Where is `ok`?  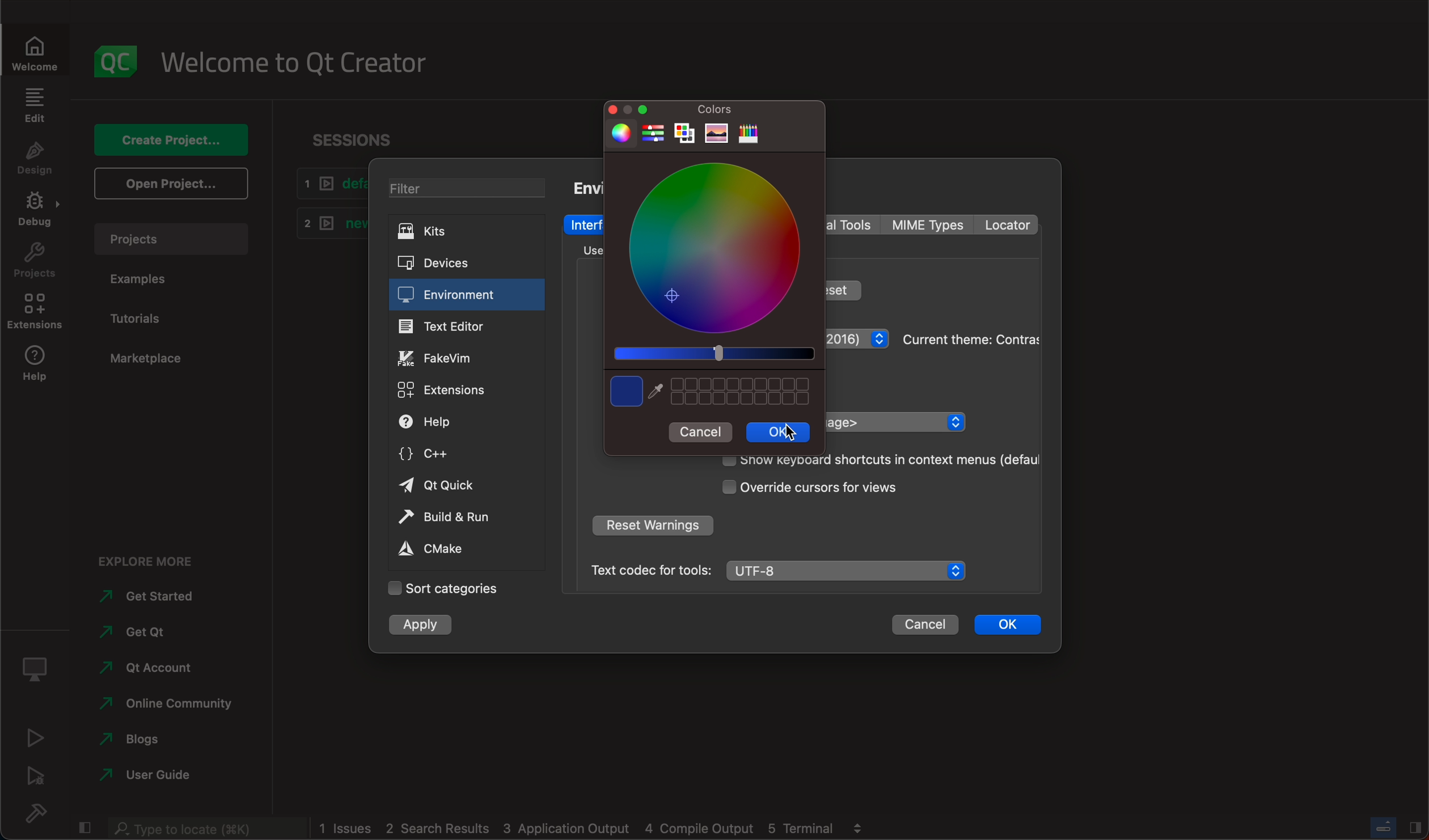
ok is located at coordinates (1008, 622).